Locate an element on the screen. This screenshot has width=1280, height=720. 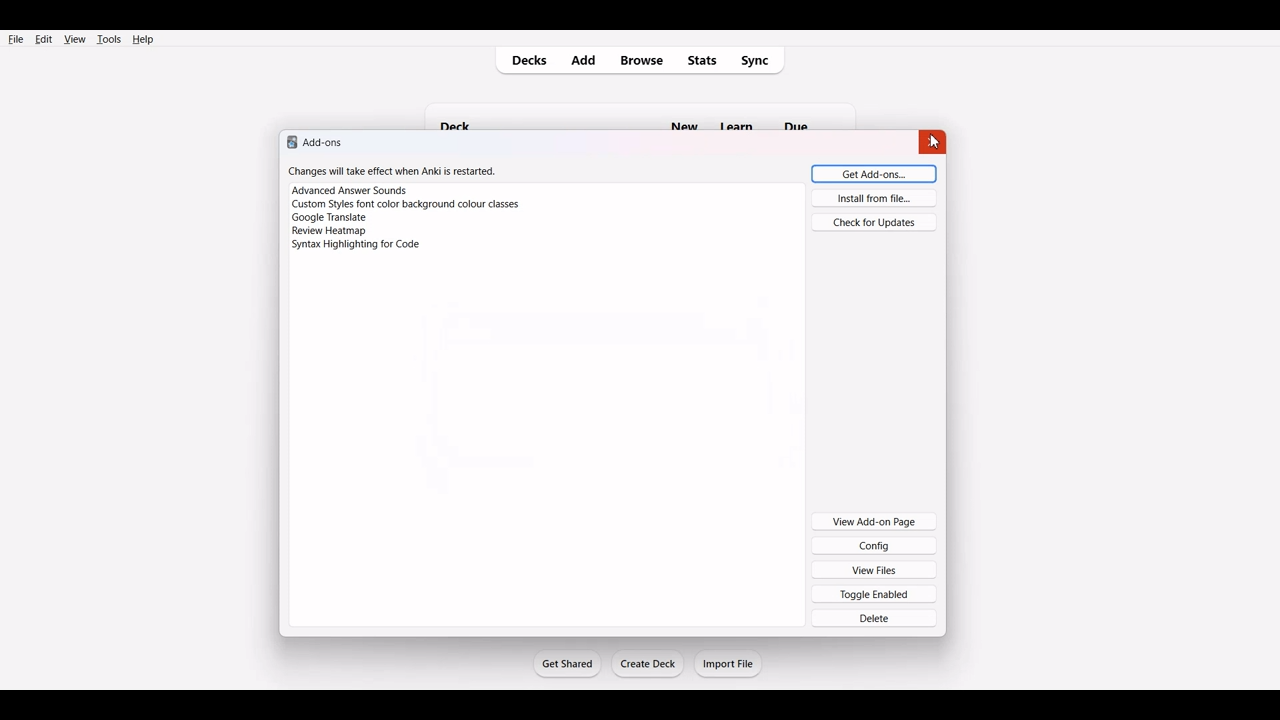
Check for Updates is located at coordinates (874, 221).